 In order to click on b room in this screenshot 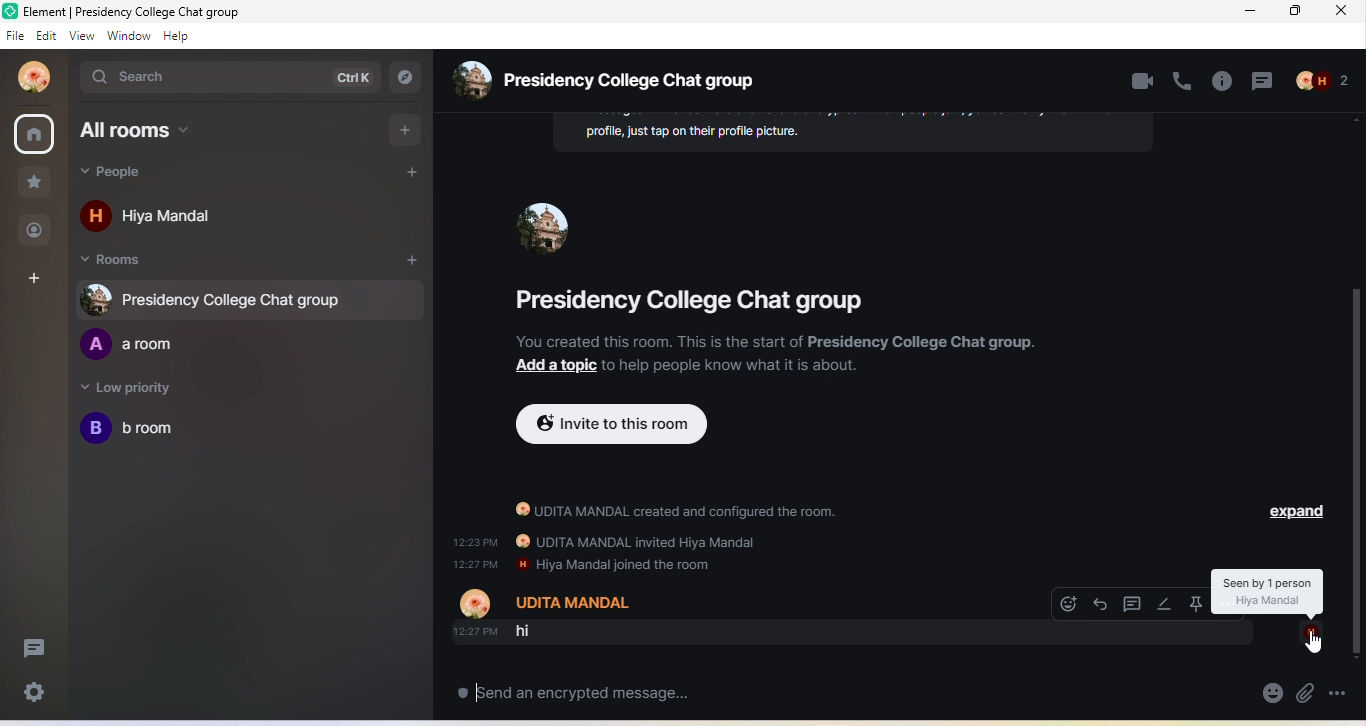, I will do `click(149, 429)`.